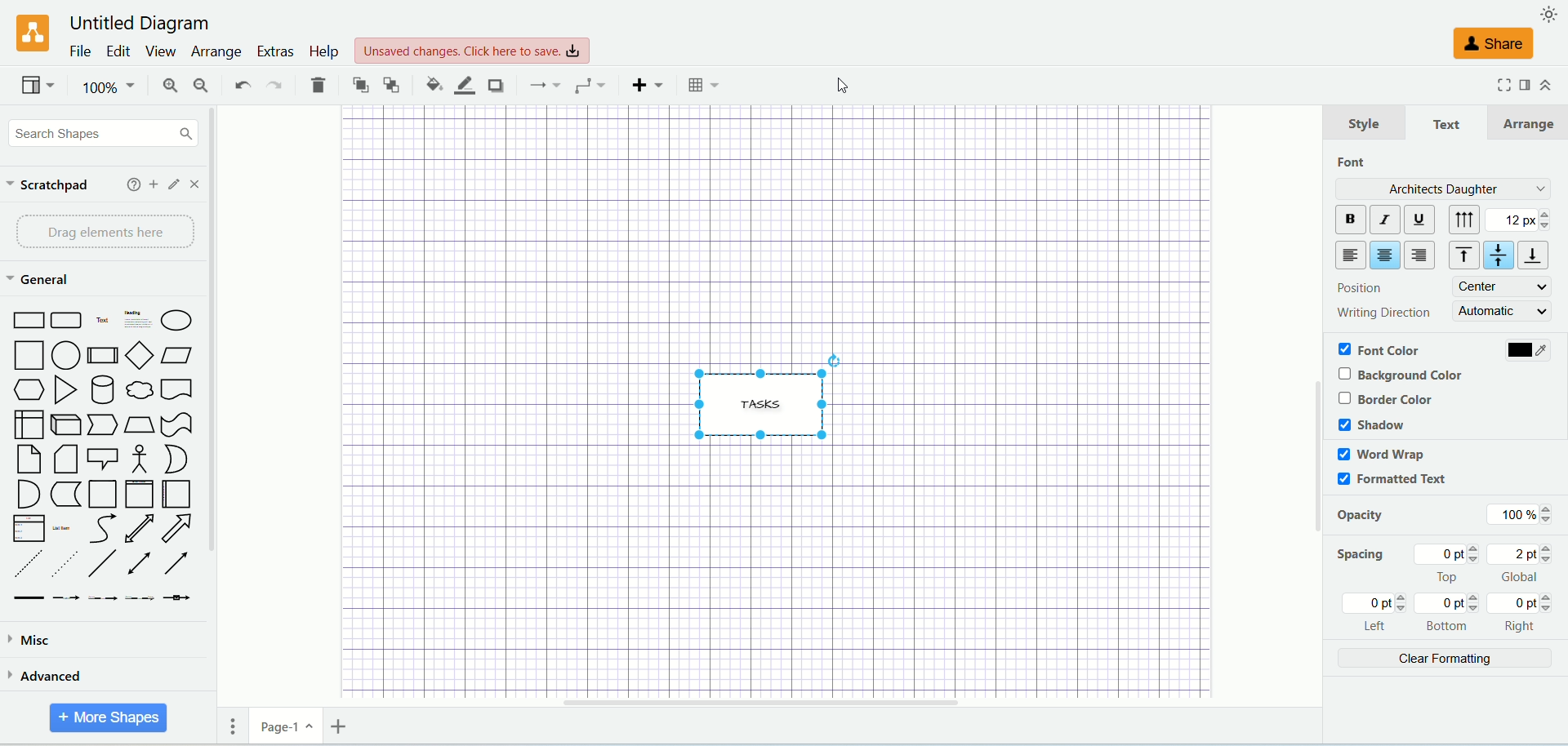  What do you see at coordinates (1378, 613) in the screenshot?
I see `left` at bounding box center [1378, 613].